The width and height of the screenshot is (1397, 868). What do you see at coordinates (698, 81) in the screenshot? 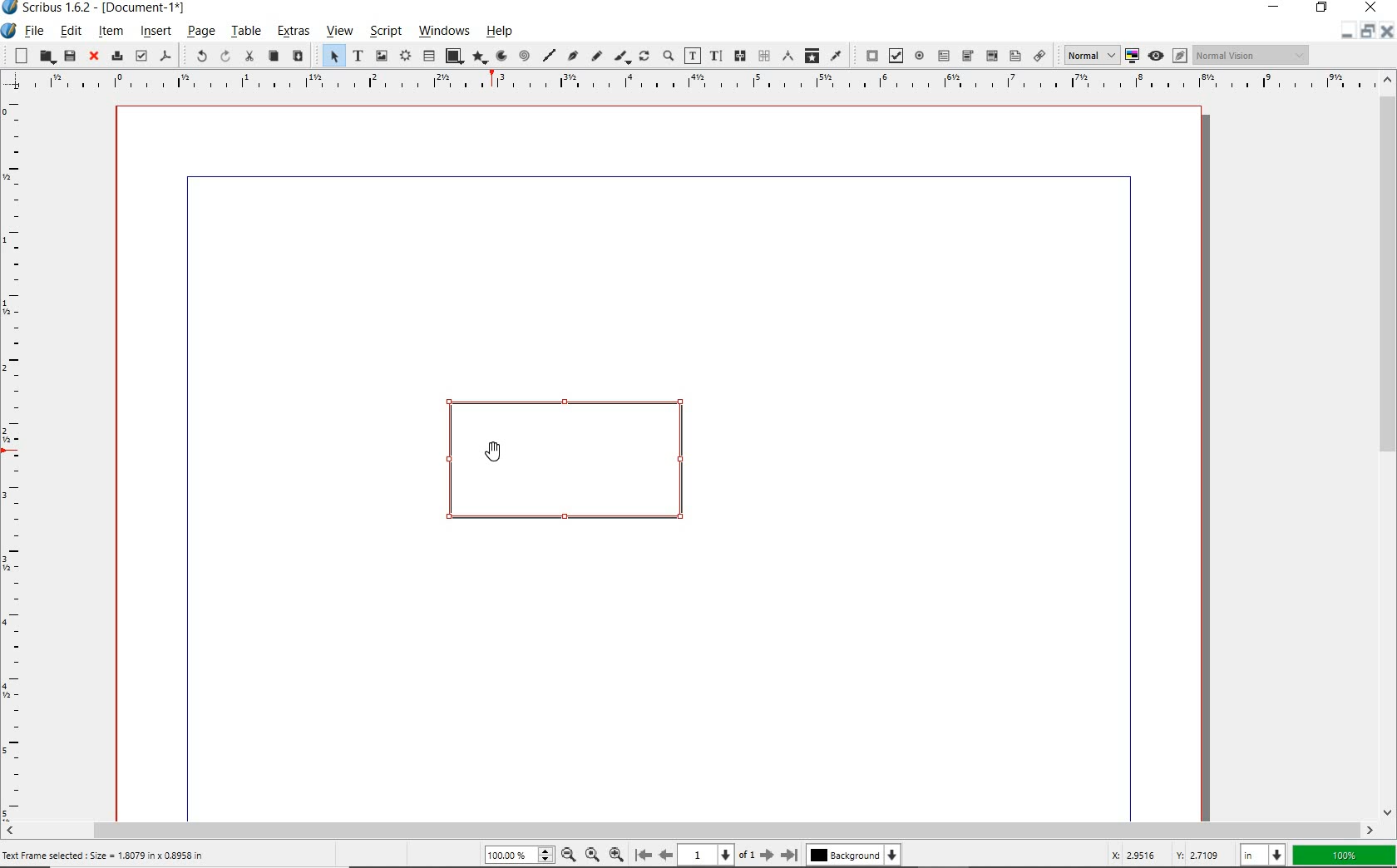
I see `Horizontal Margins` at bounding box center [698, 81].